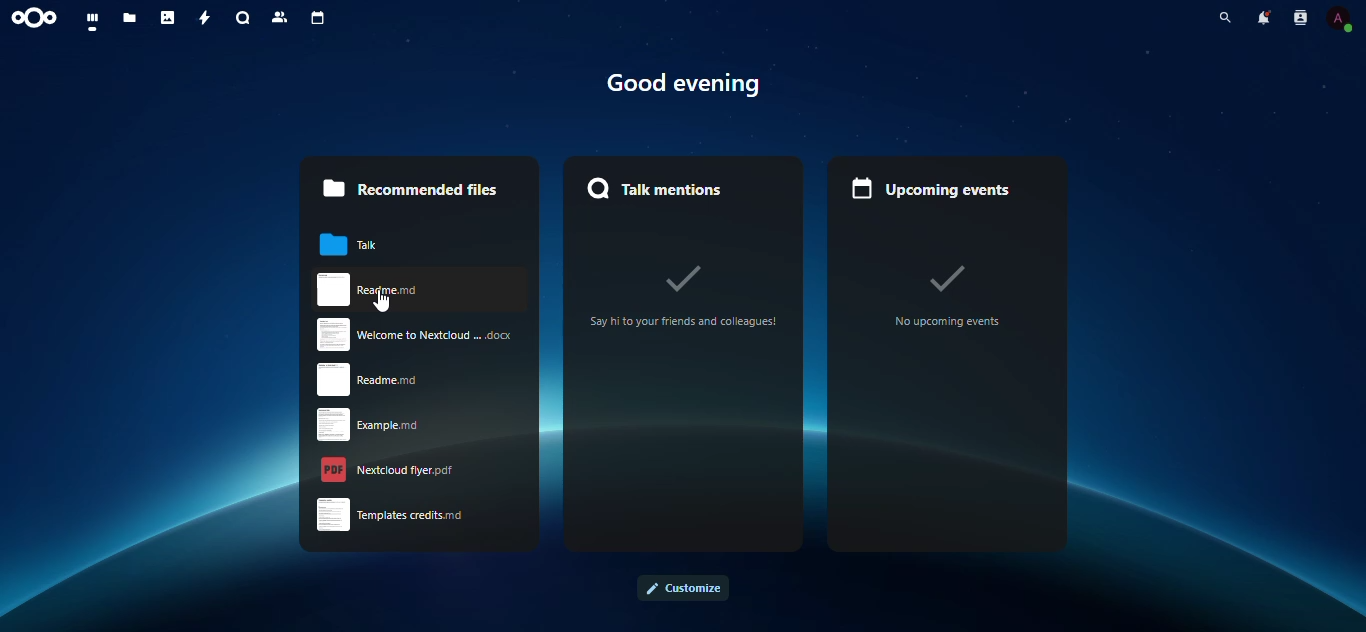 The image size is (1366, 632). What do you see at coordinates (947, 276) in the screenshot?
I see `Tick mark` at bounding box center [947, 276].